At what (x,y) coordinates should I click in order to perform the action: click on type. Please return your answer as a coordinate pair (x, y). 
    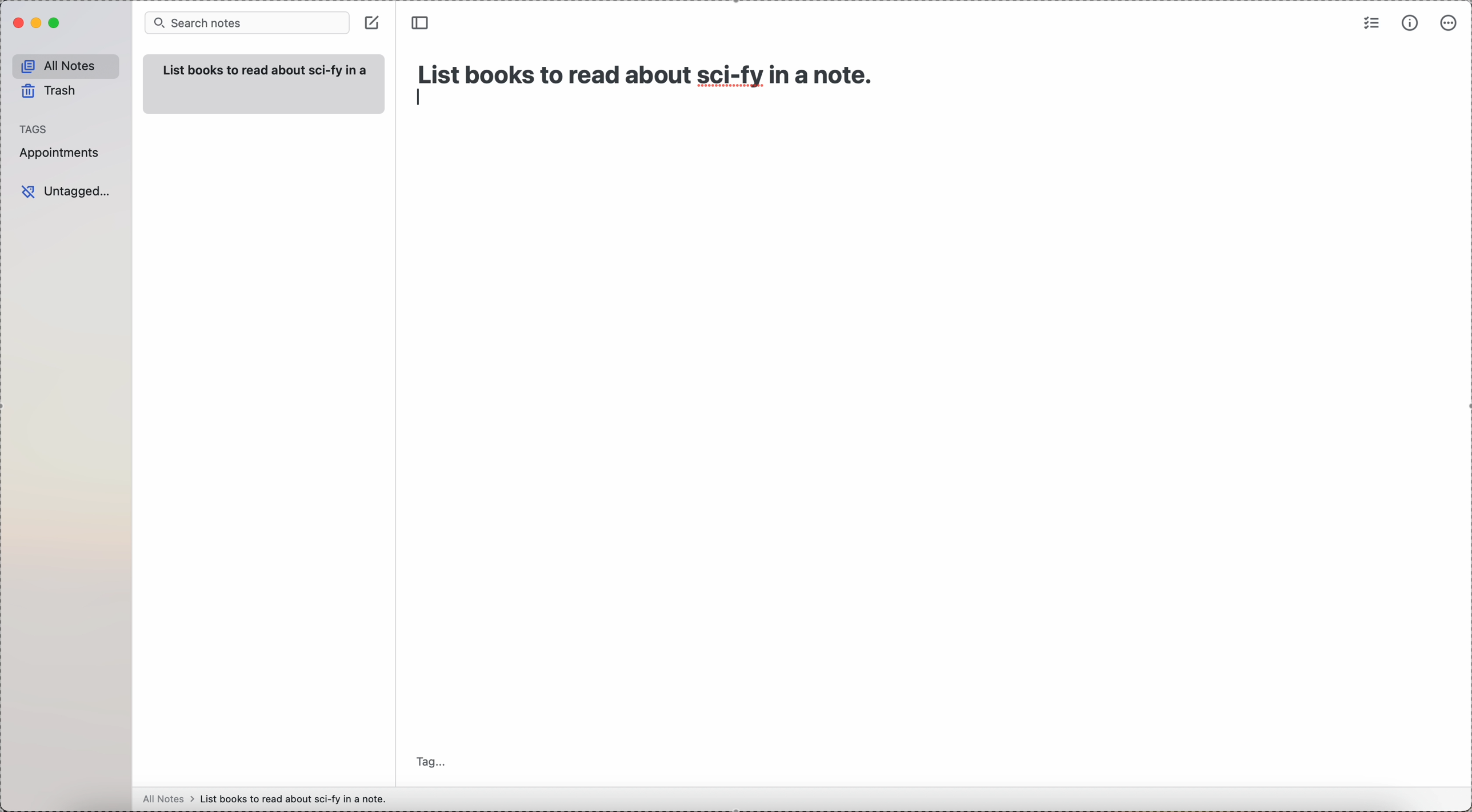
    Looking at the image, I should click on (422, 98).